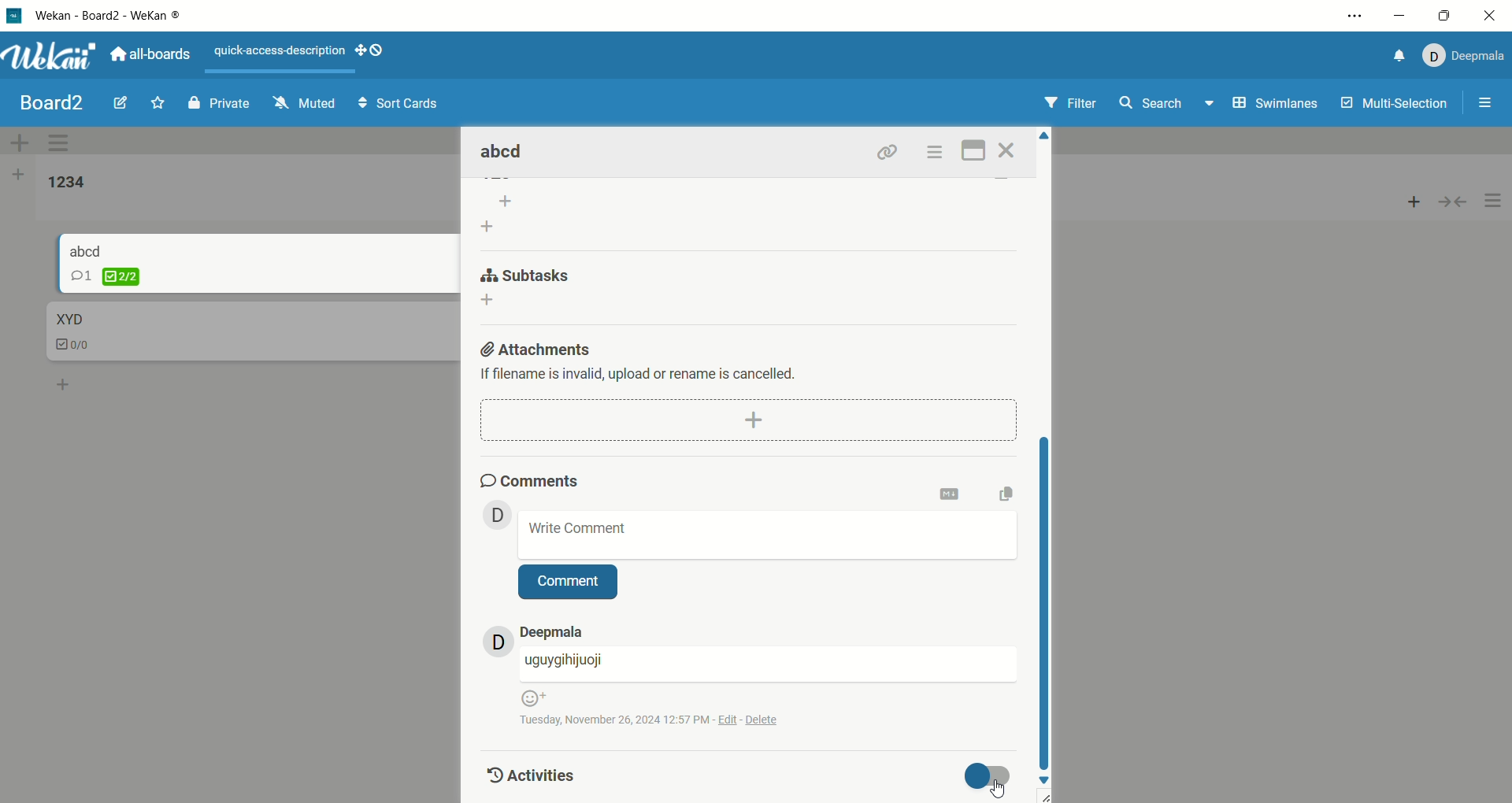  I want to click on muted, so click(305, 102).